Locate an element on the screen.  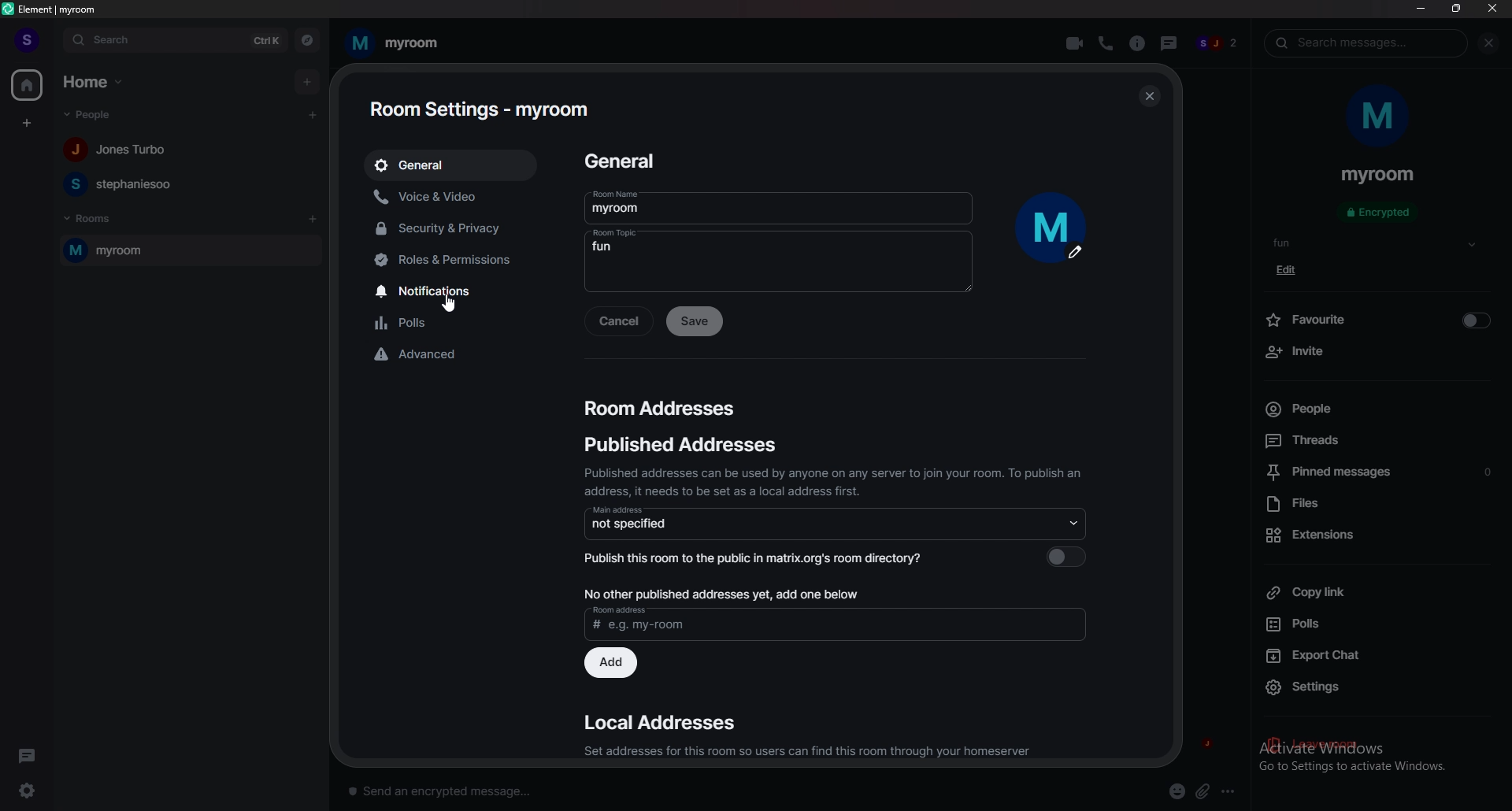
invite is located at coordinates (1377, 352).